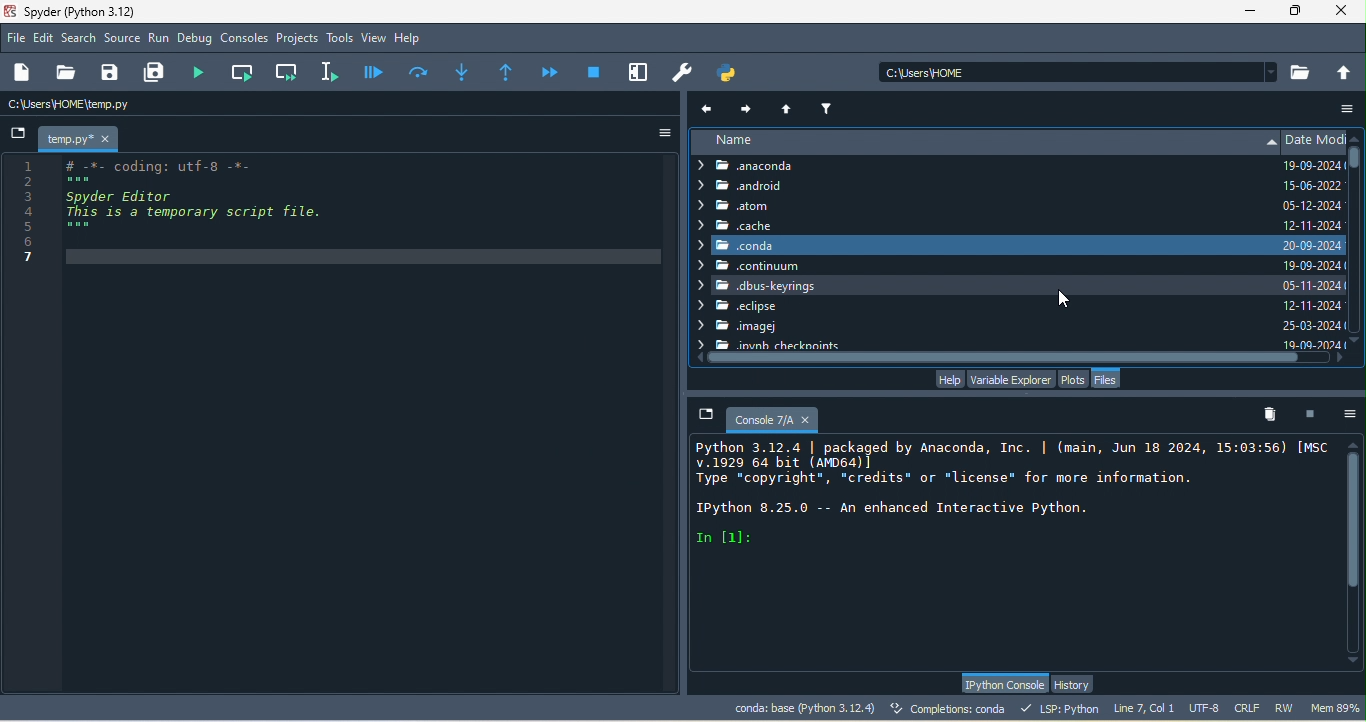 This screenshot has height=722, width=1366. What do you see at coordinates (1302, 72) in the screenshot?
I see `browse` at bounding box center [1302, 72].